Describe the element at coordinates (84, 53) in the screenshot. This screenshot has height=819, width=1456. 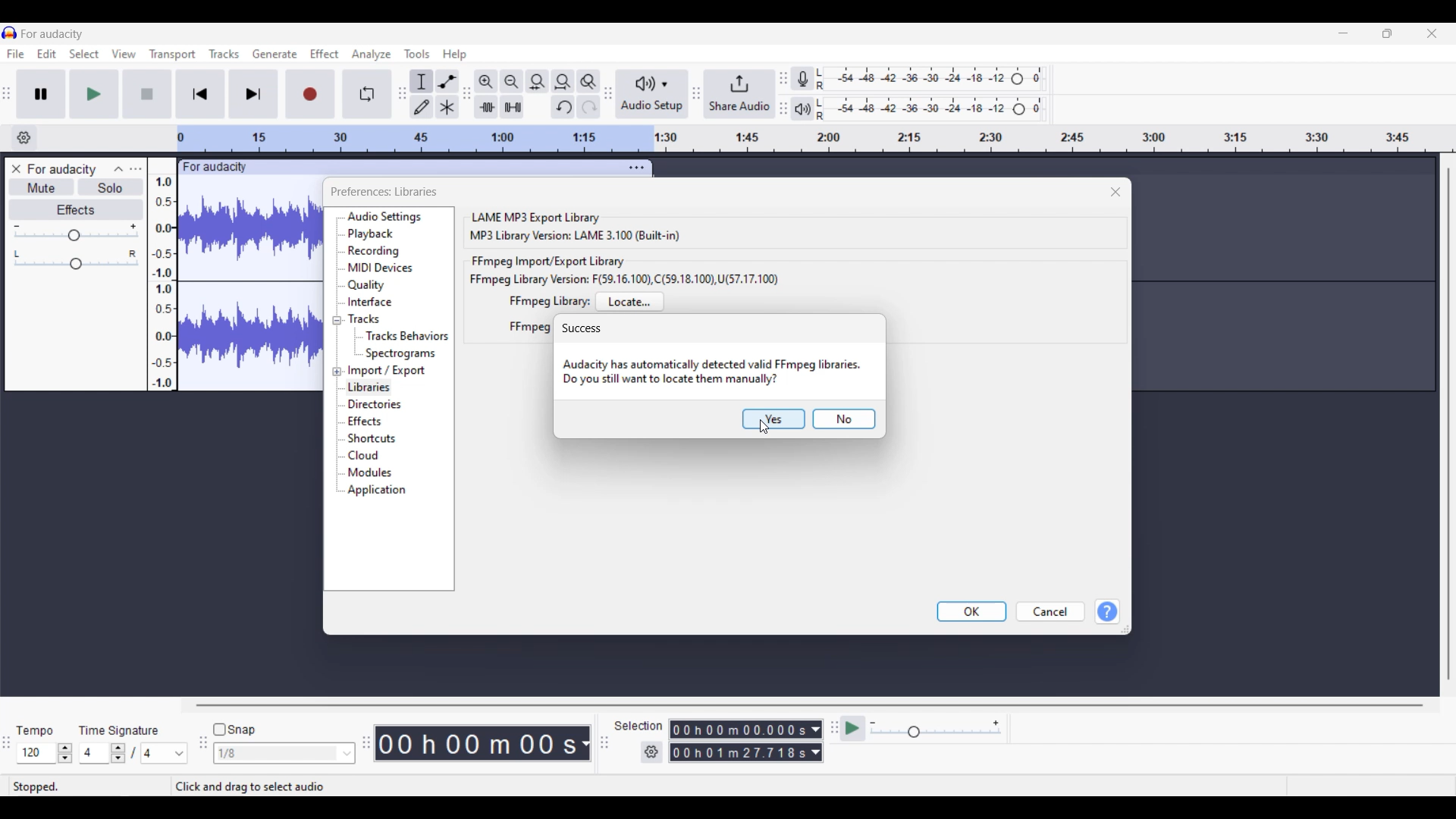
I see `Select menu` at that location.